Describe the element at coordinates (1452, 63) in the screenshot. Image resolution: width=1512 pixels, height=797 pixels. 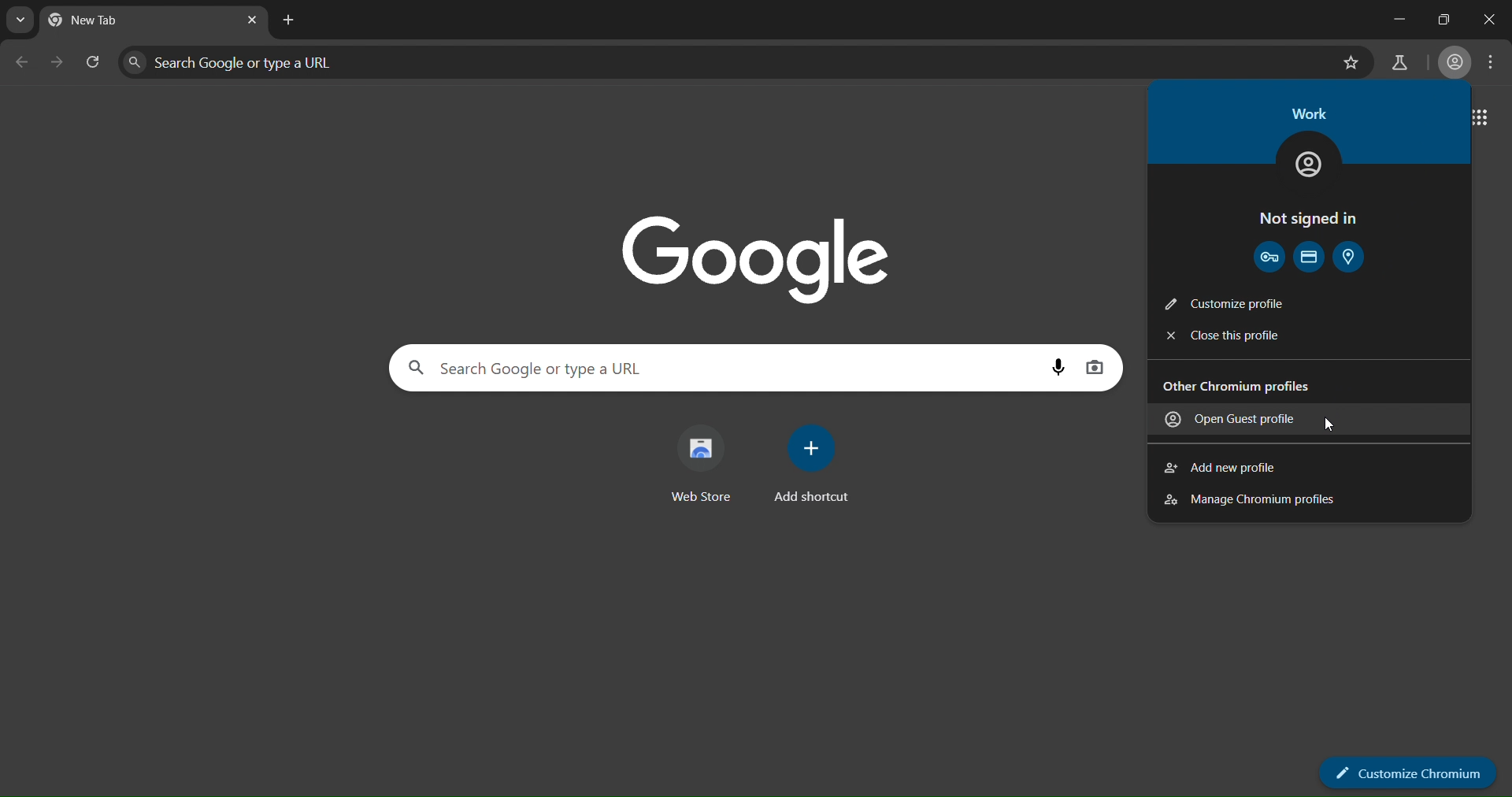
I see `account` at that location.